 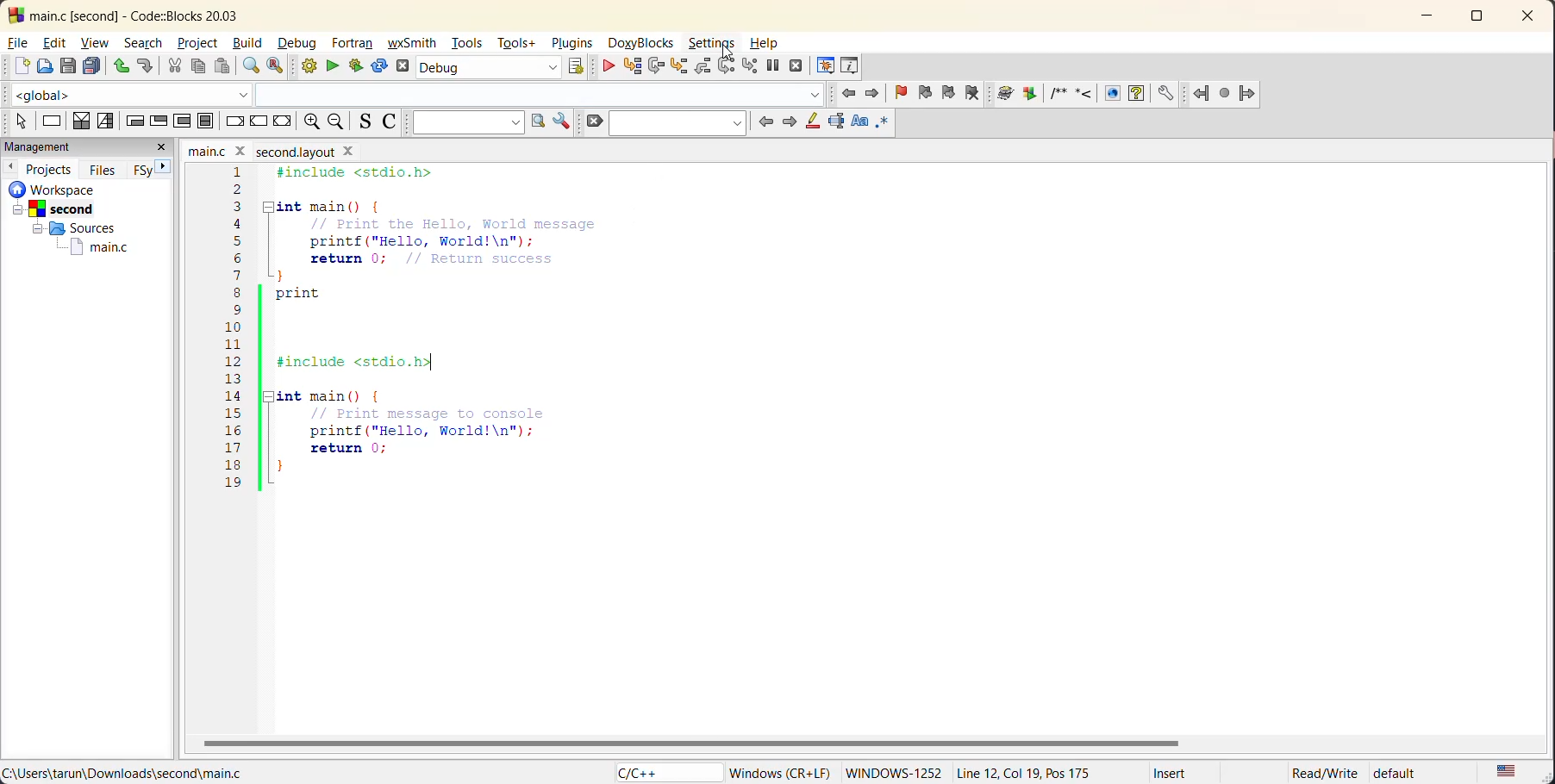 I want to click on return instruction, so click(x=283, y=121).